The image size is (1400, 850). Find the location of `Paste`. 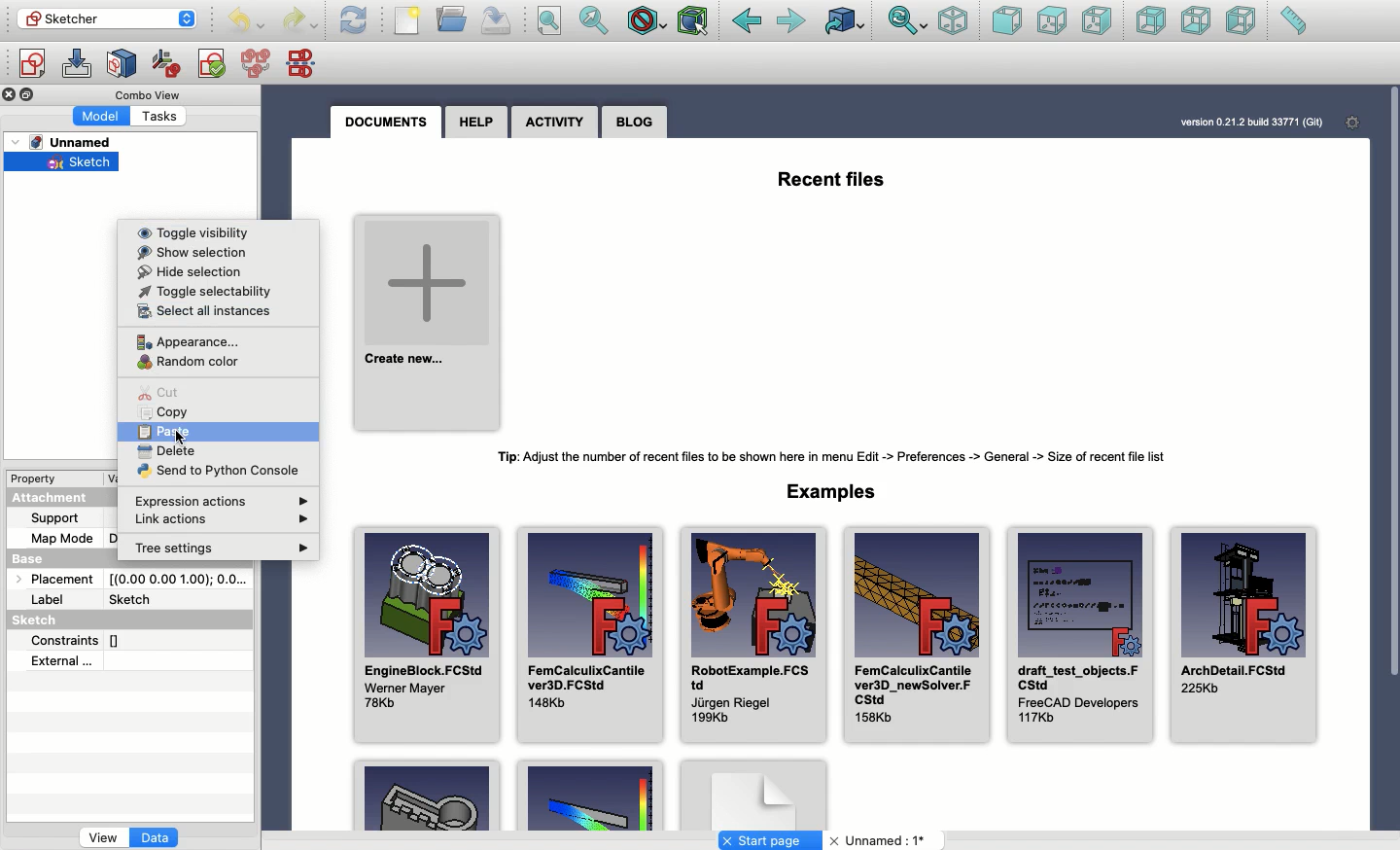

Paste is located at coordinates (157, 429).